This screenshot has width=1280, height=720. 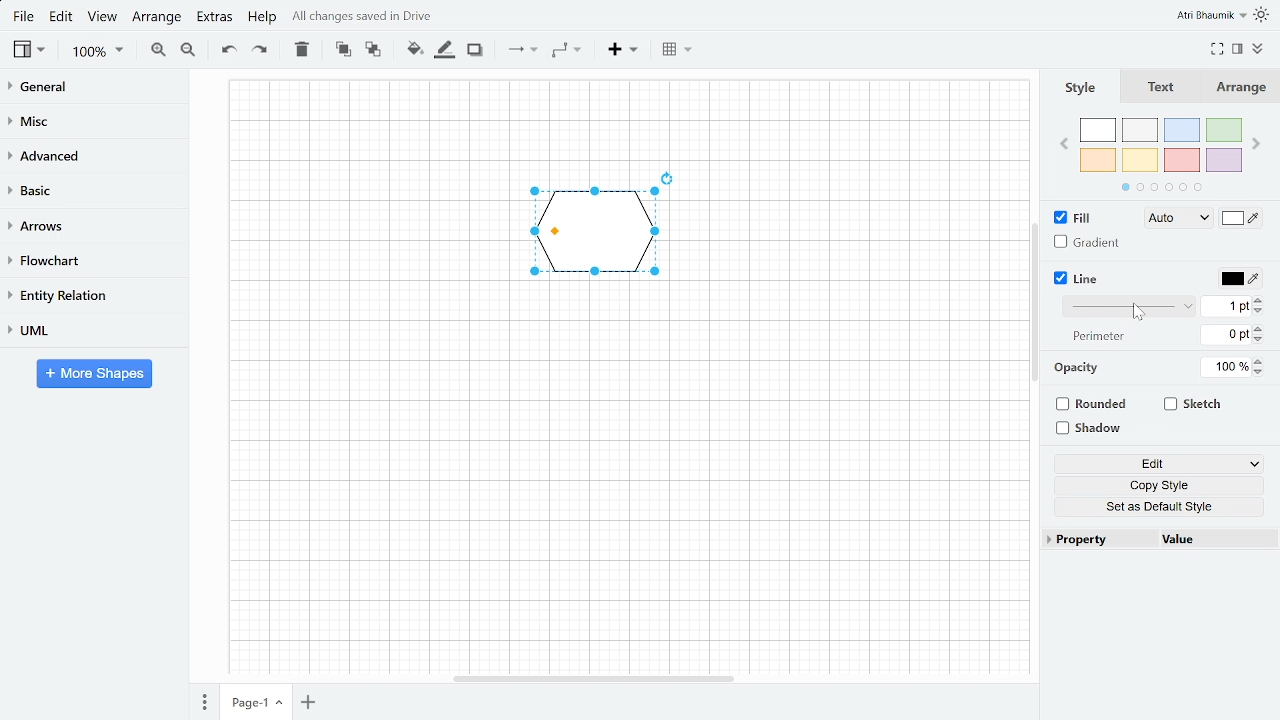 I want to click on Fill colour, so click(x=414, y=50).